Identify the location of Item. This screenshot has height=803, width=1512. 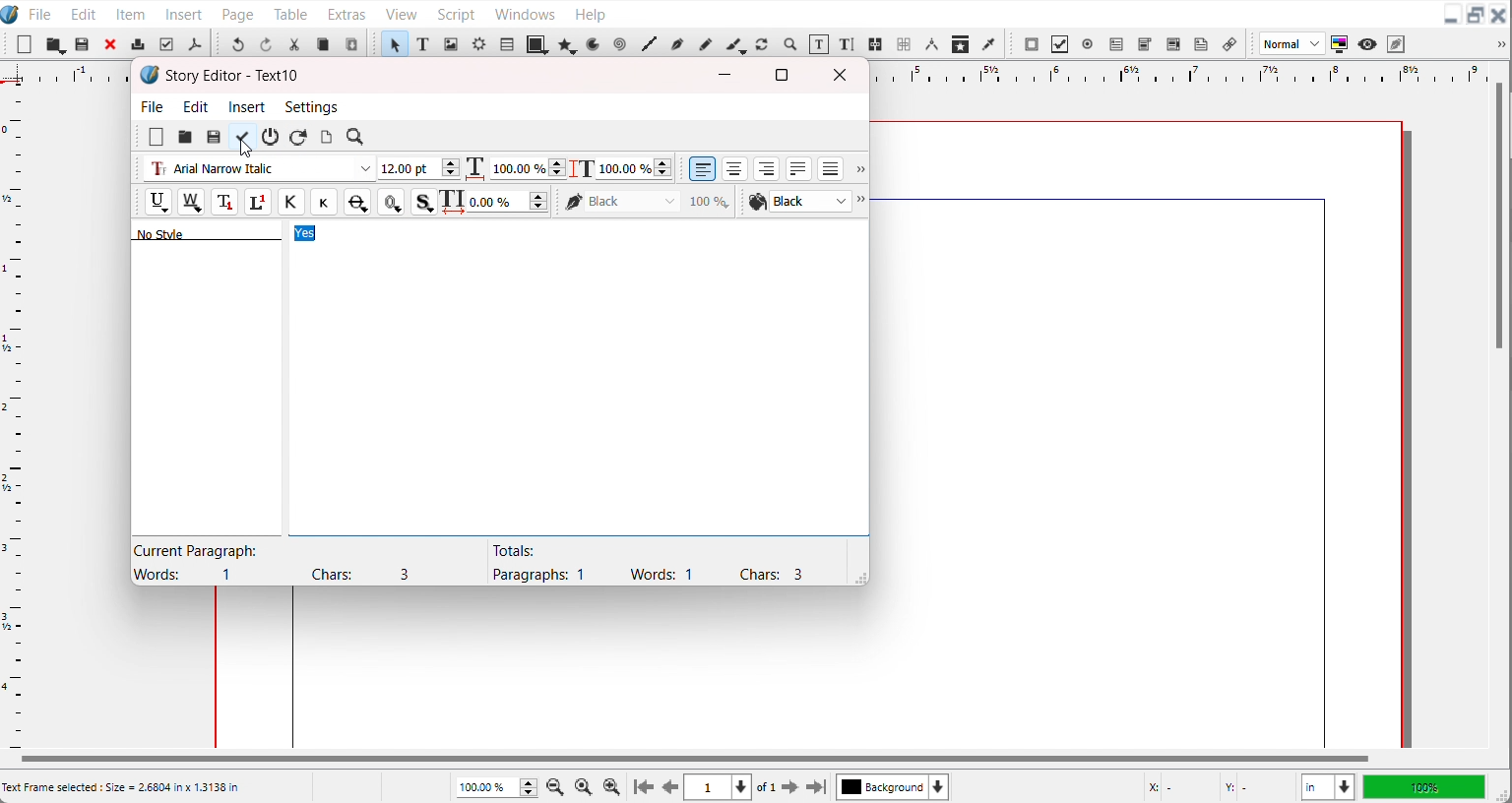
(132, 14).